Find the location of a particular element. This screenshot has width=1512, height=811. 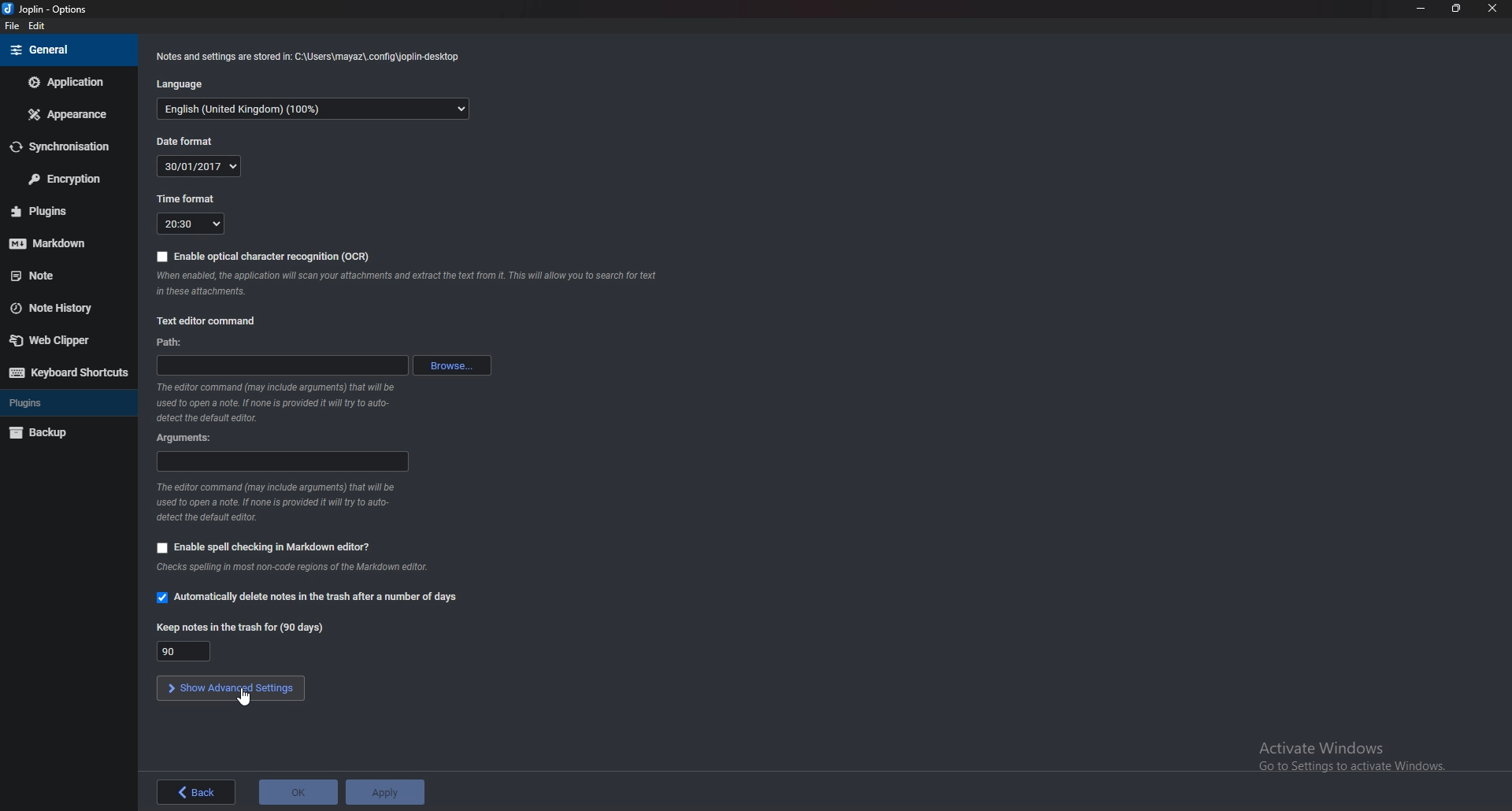

Encryption is located at coordinates (70, 177).